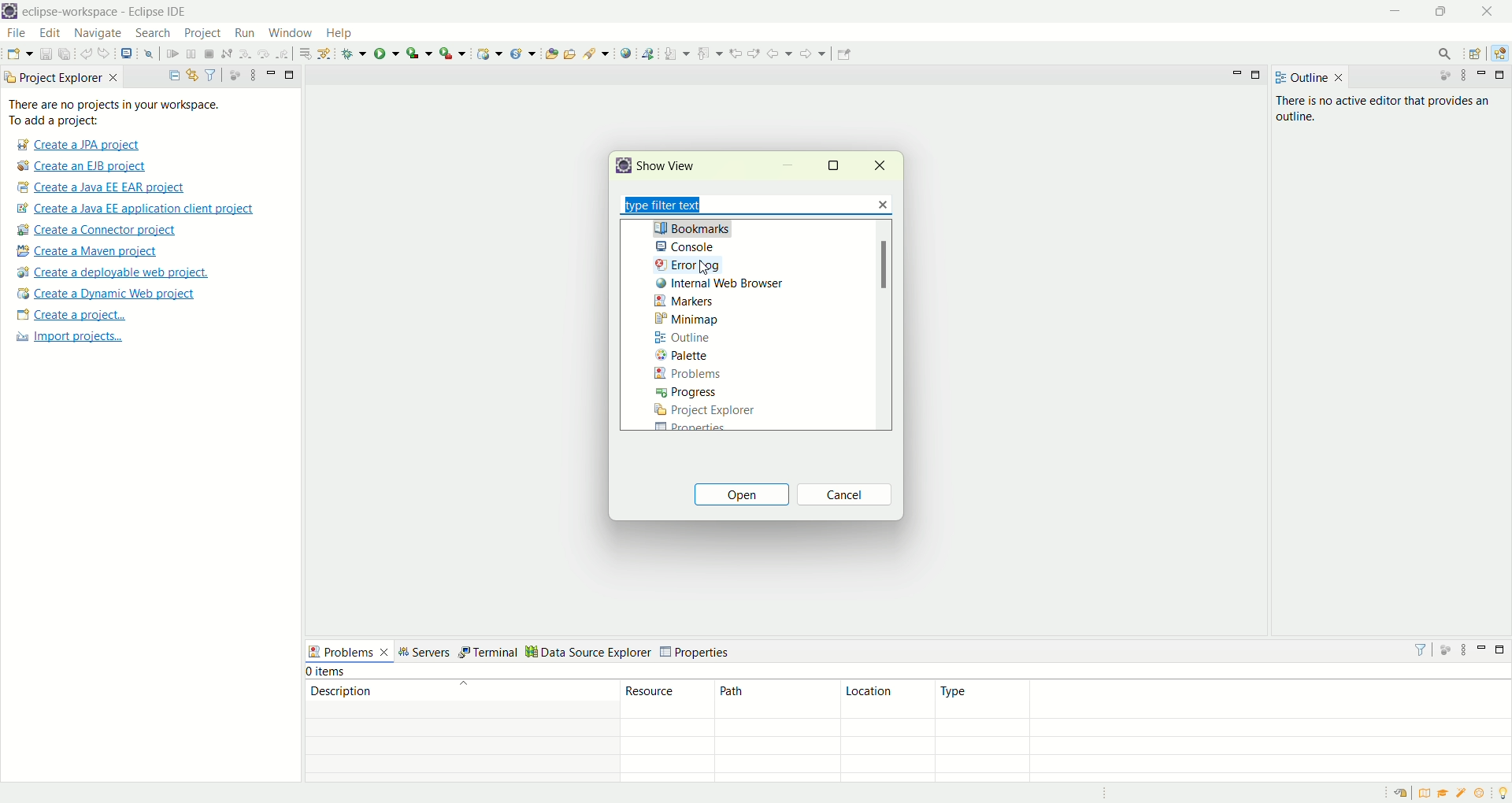  I want to click on create a maven project, so click(94, 250).